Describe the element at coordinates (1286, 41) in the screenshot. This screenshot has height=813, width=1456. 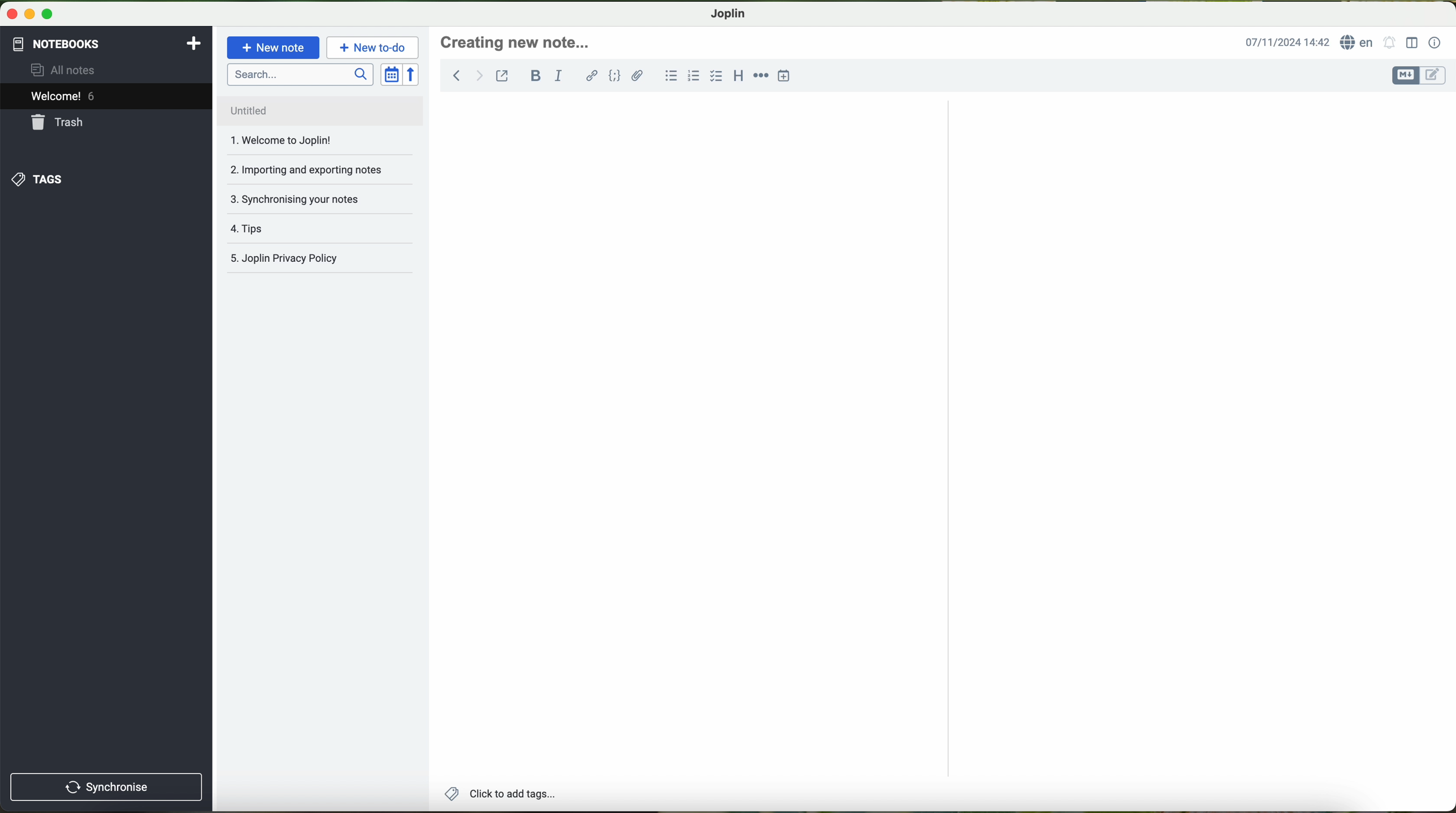
I see `date and hour` at that location.